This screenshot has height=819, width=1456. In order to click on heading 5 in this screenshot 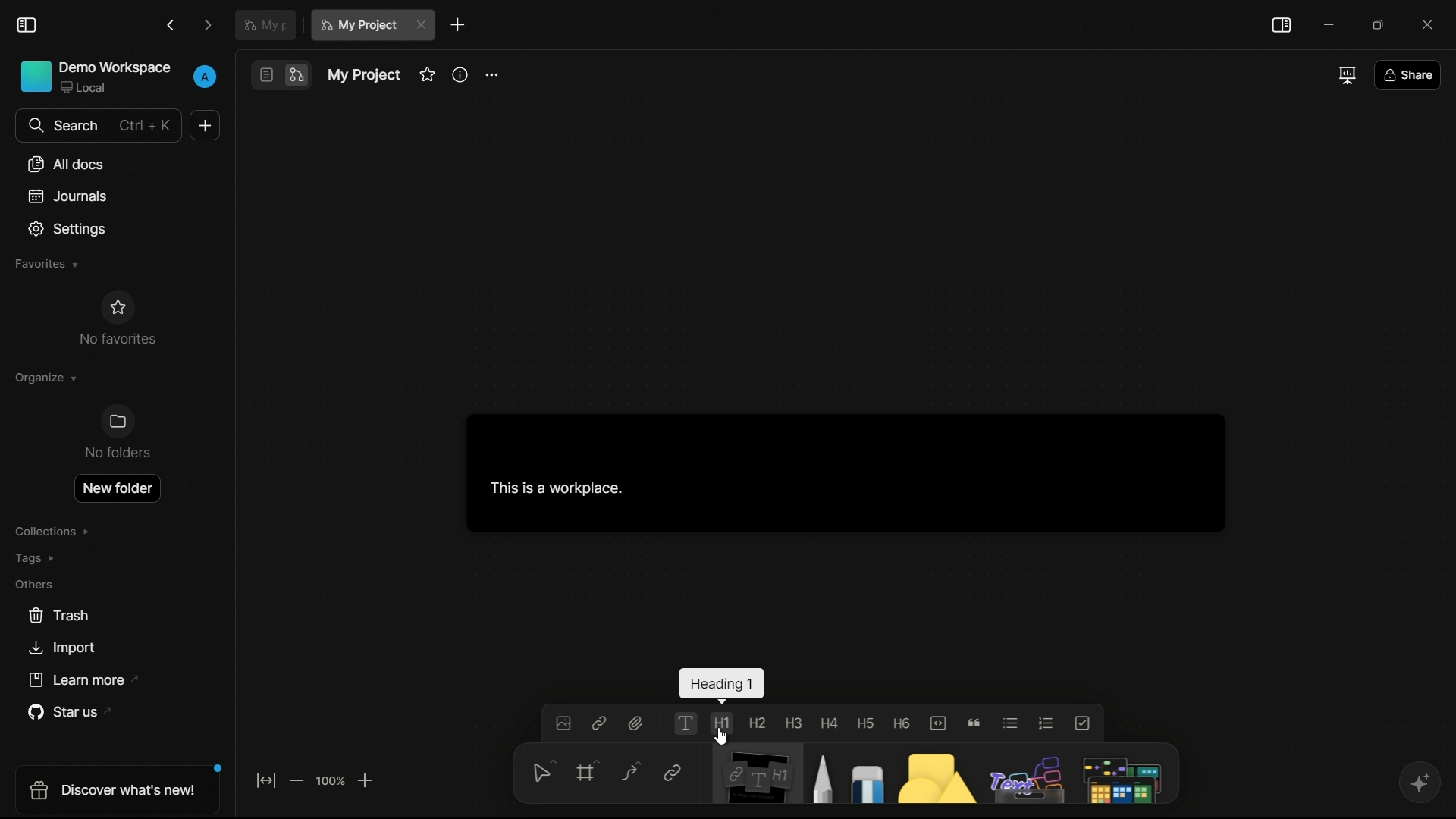, I will do `click(866, 723)`.